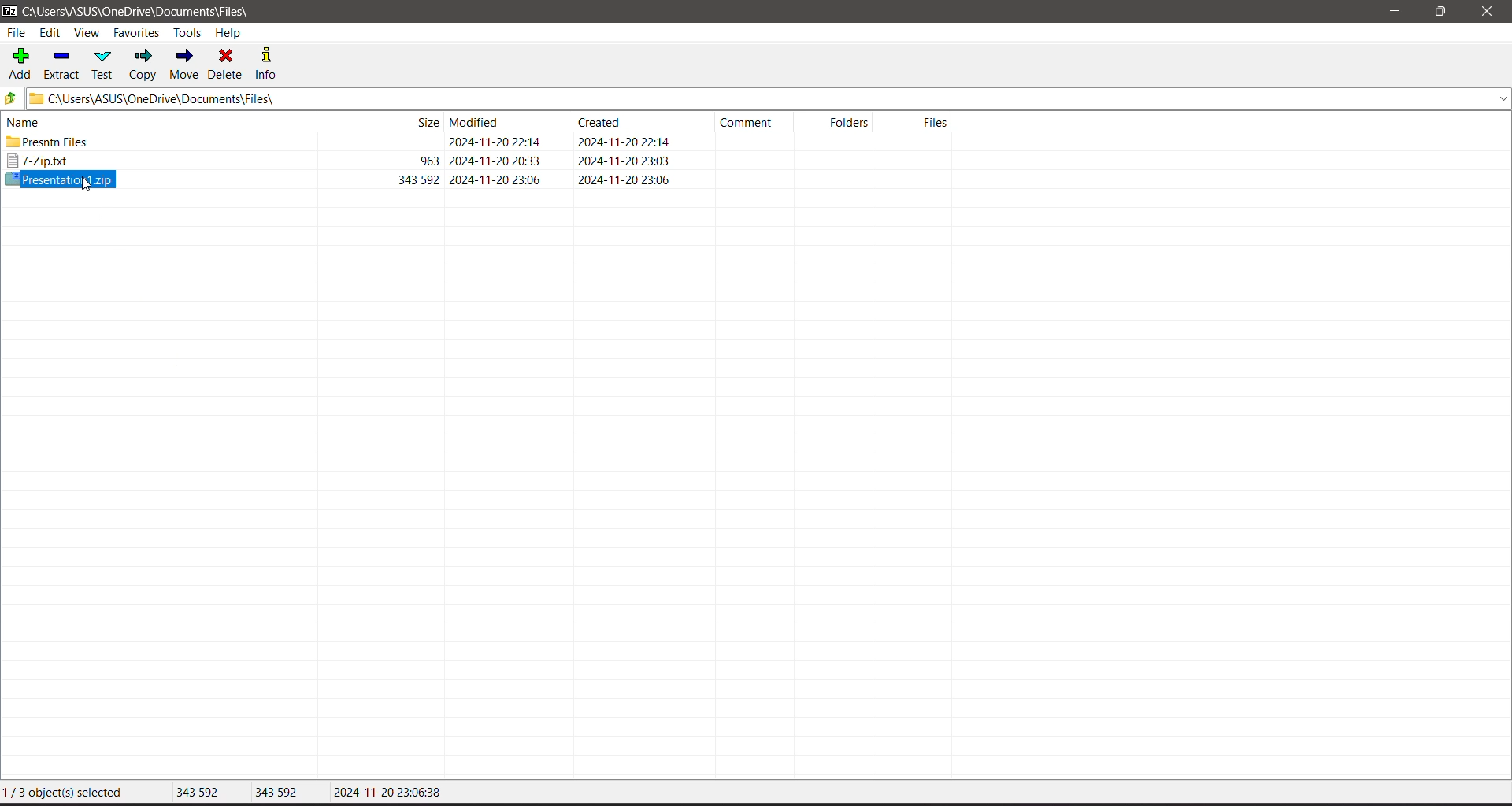 This screenshot has width=1512, height=806. I want to click on 7-Zip, so click(342, 162).